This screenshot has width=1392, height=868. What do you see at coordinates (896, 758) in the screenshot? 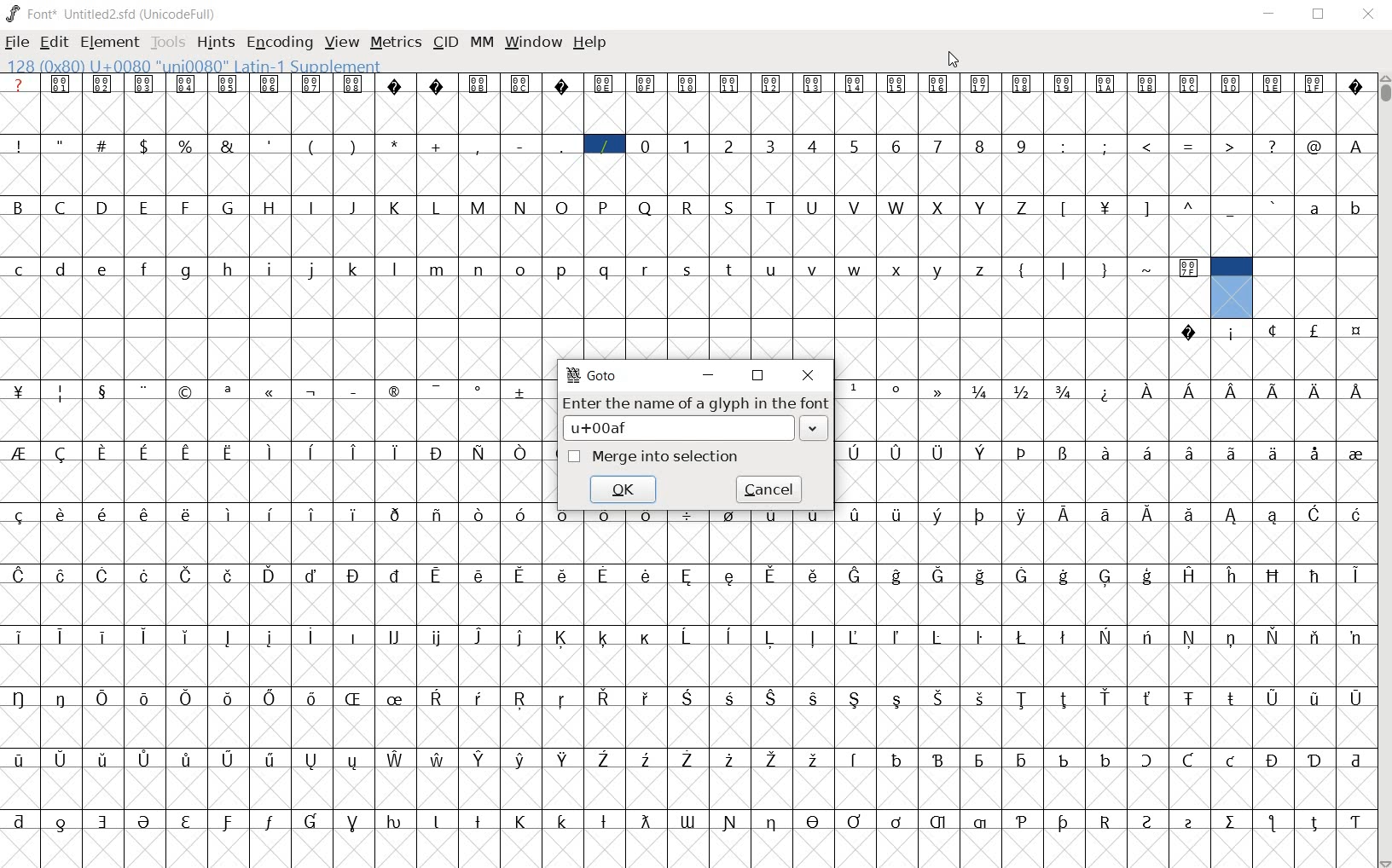
I see `Symbol` at bounding box center [896, 758].